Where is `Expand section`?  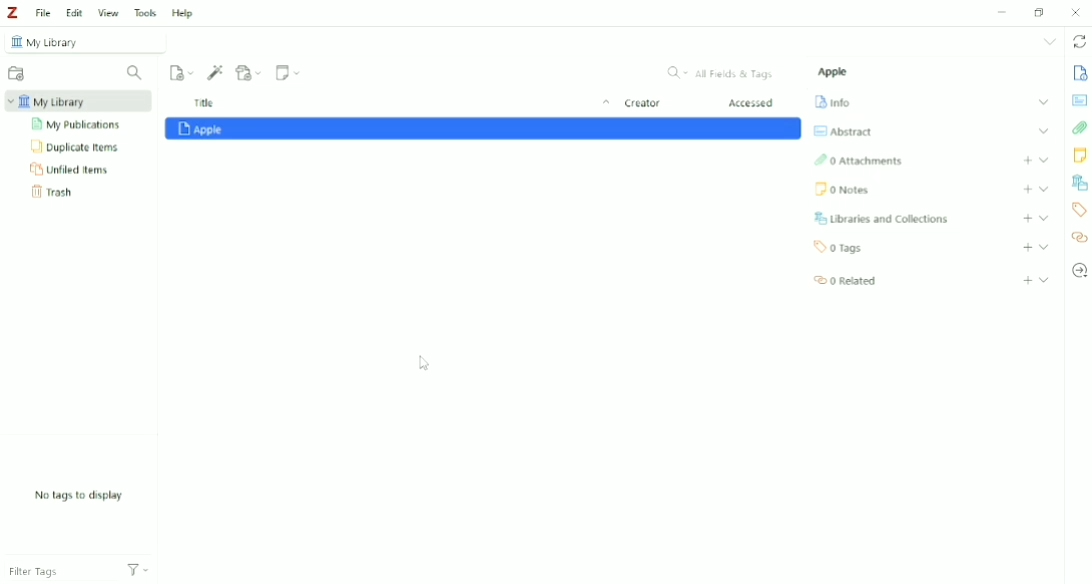 Expand section is located at coordinates (1044, 188).